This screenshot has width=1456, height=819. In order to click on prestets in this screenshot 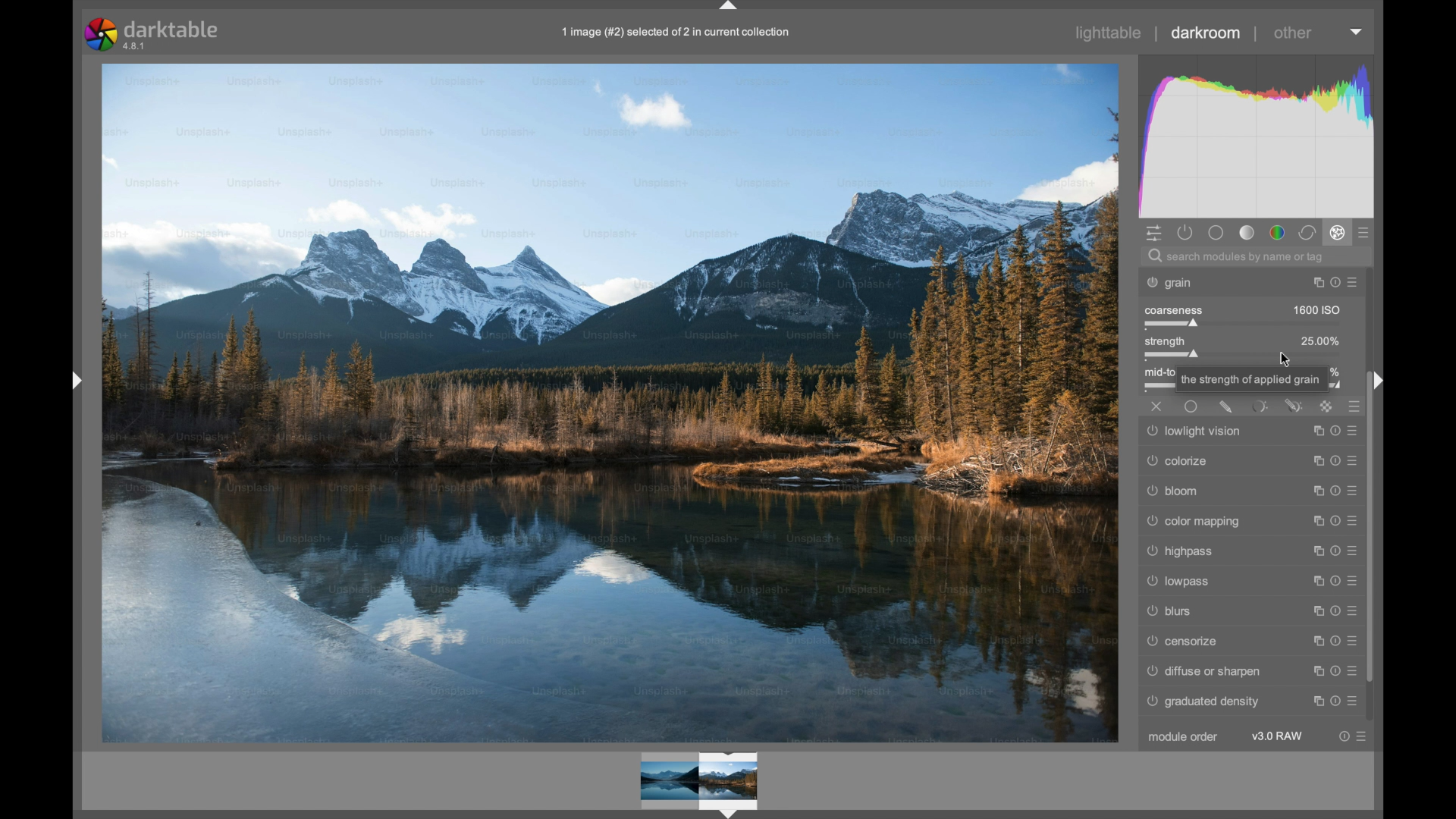, I will do `click(1351, 521)`.